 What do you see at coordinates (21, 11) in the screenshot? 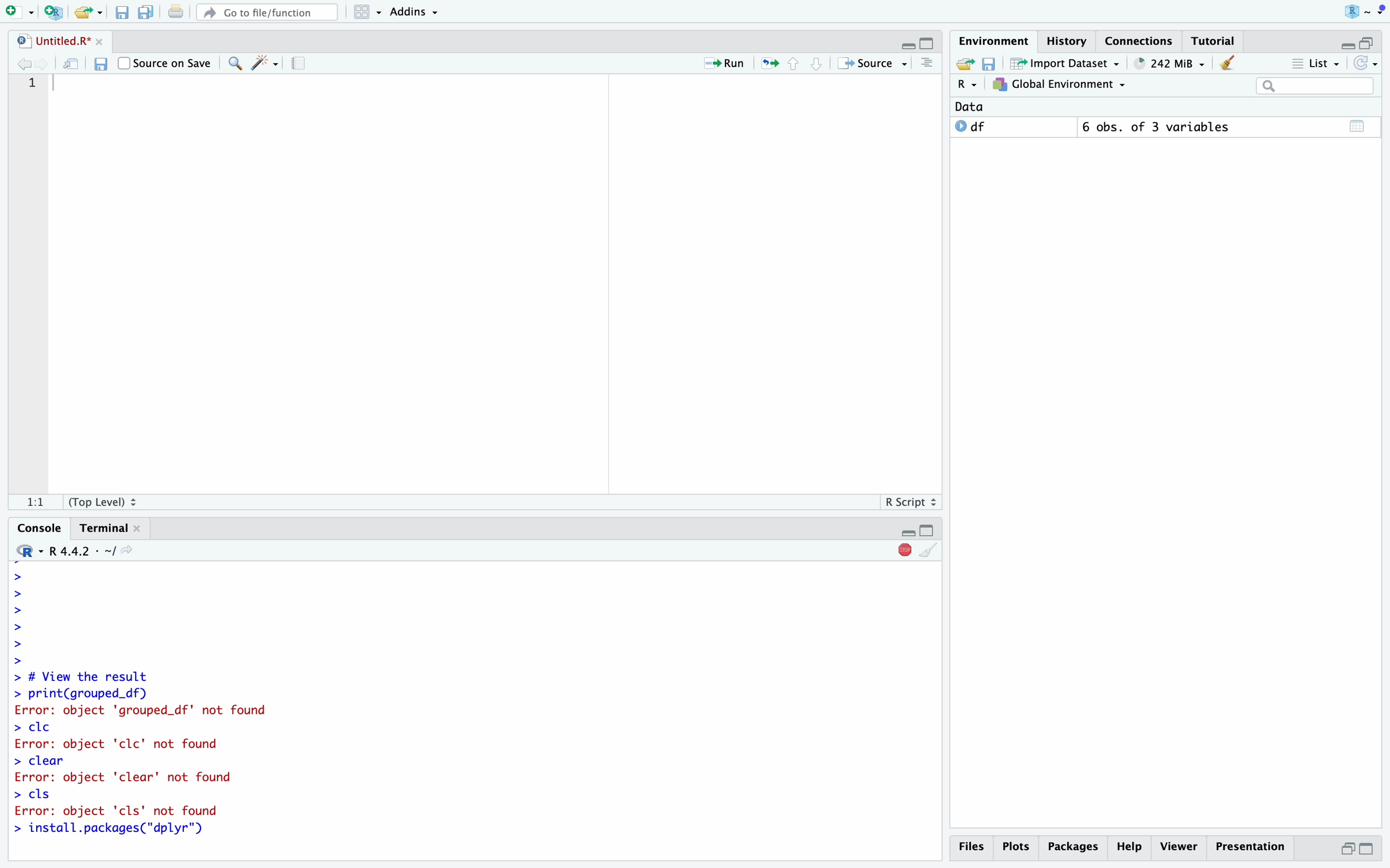
I see `Open new file` at bounding box center [21, 11].